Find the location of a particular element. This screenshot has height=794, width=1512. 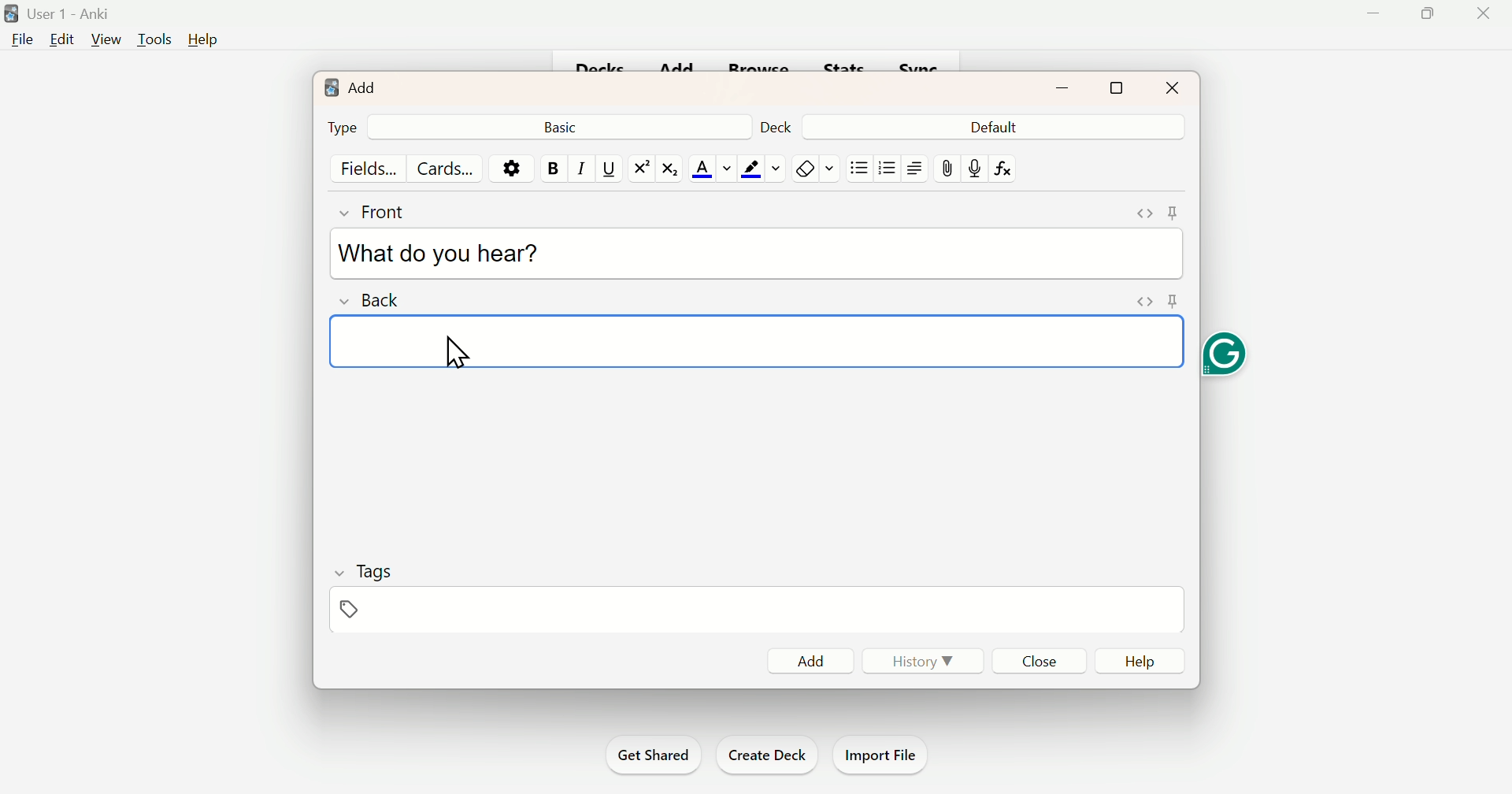

Create Deck is located at coordinates (766, 755).